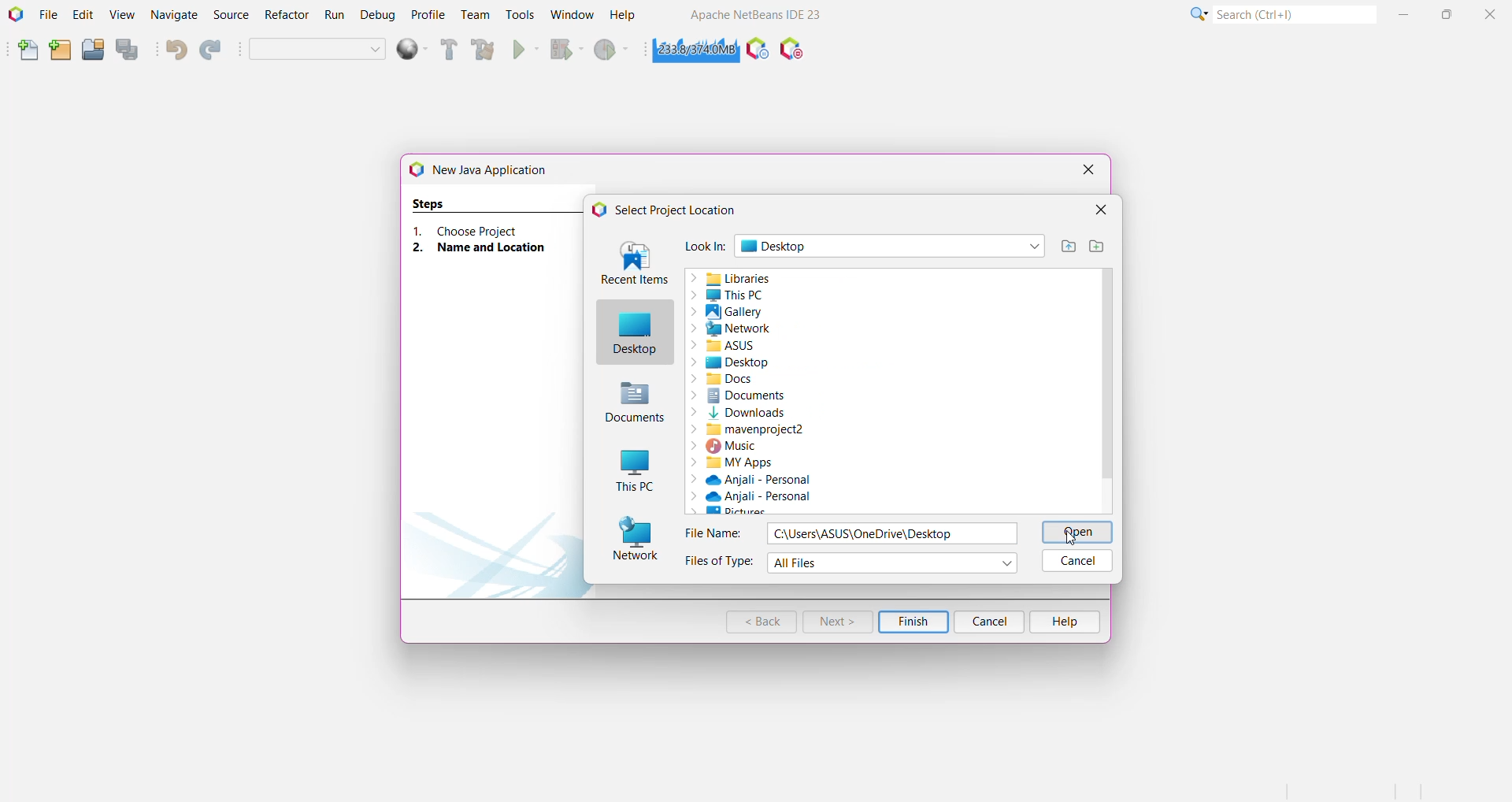  What do you see at coordinates (894, 563) in the screenshot?
I see `Select File types` at bounding box center [894, 563].